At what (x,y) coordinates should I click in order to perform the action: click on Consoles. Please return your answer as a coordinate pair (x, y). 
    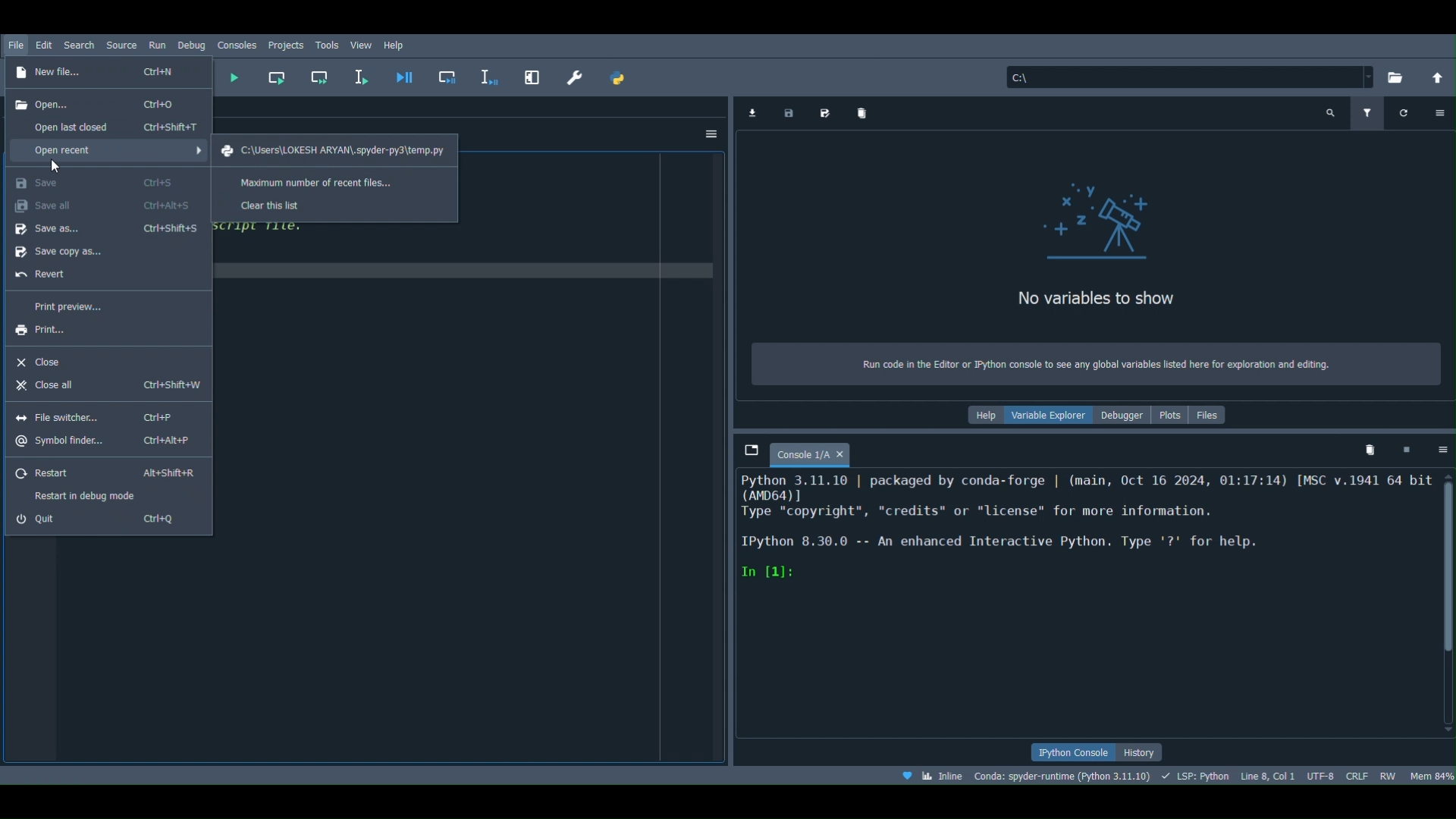
    Looking at the image, I should click on (237, 45).